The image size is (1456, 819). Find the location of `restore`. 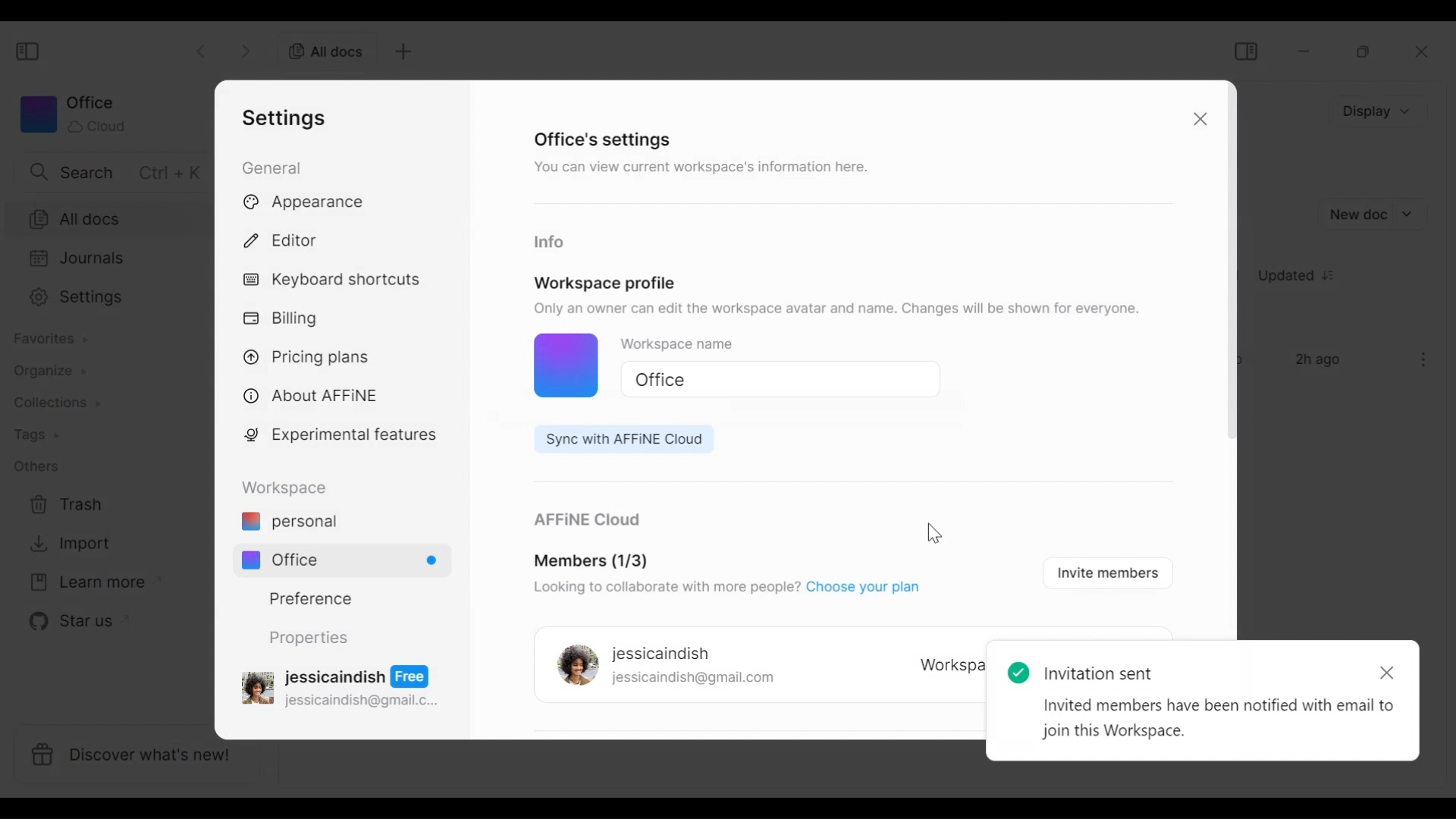

restore is located at coordinates (1364, 52).